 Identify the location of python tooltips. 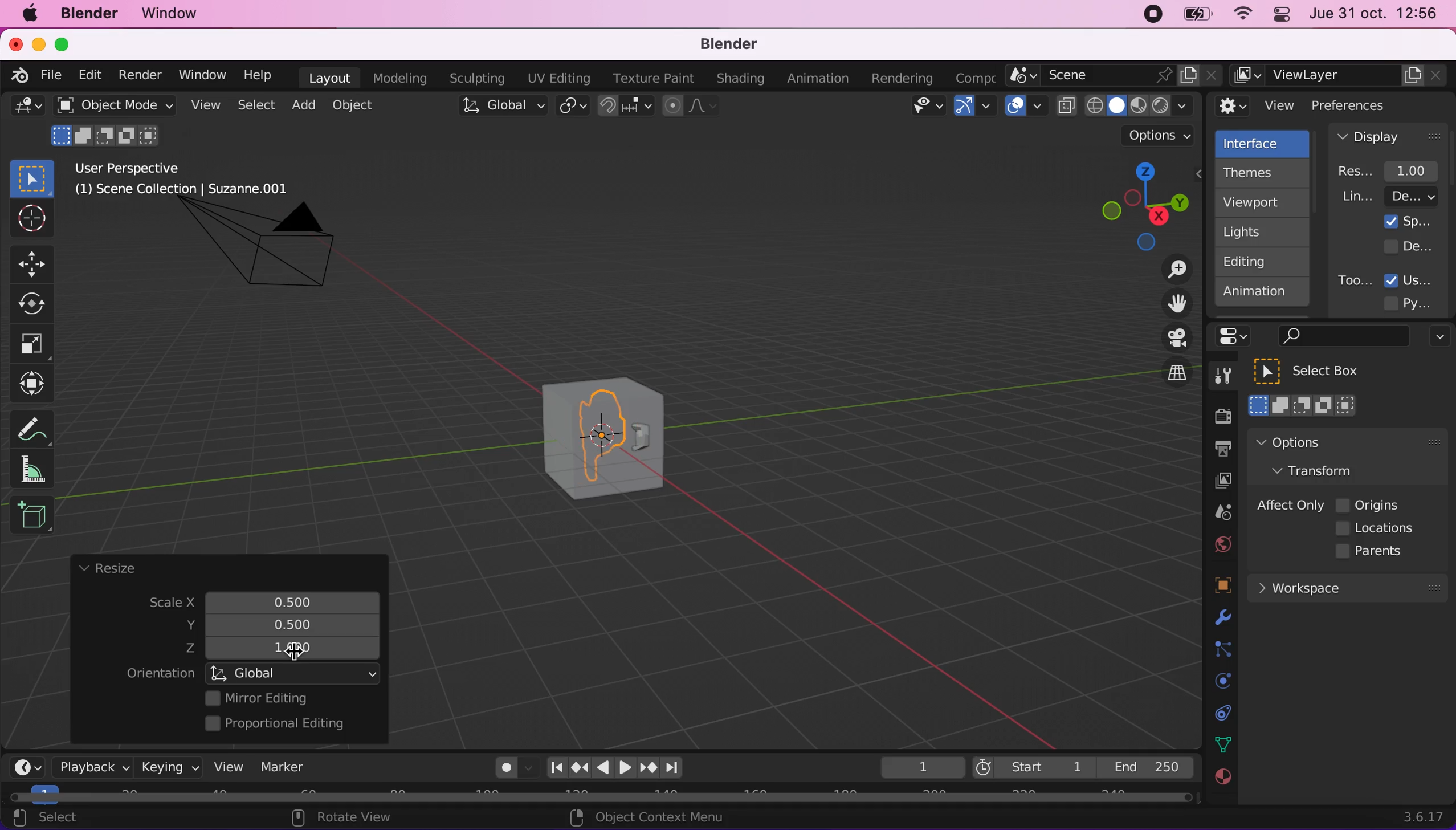
(1421, 302).